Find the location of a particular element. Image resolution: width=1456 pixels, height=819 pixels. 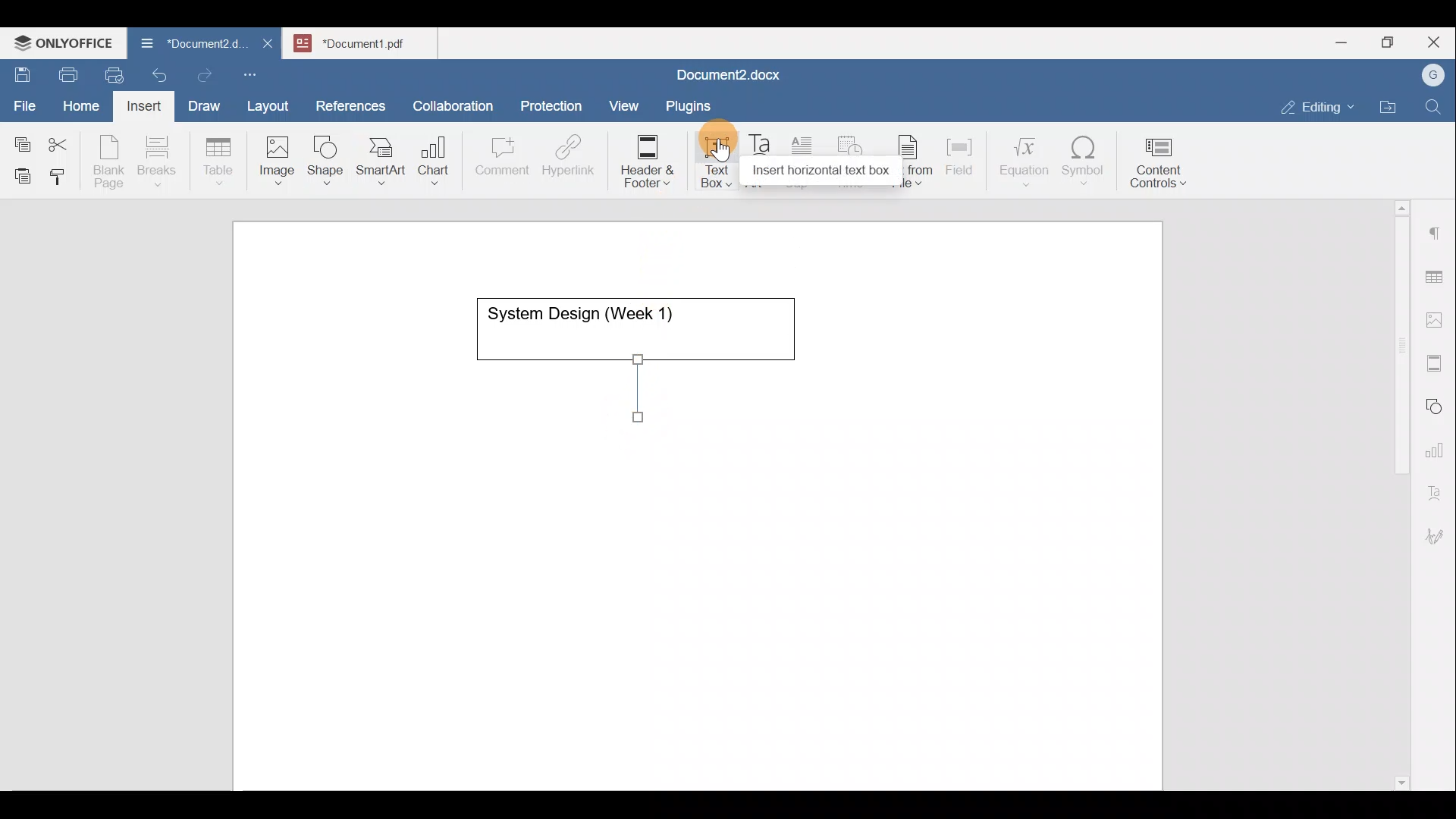

Paste is located at coordinates (19, 172).